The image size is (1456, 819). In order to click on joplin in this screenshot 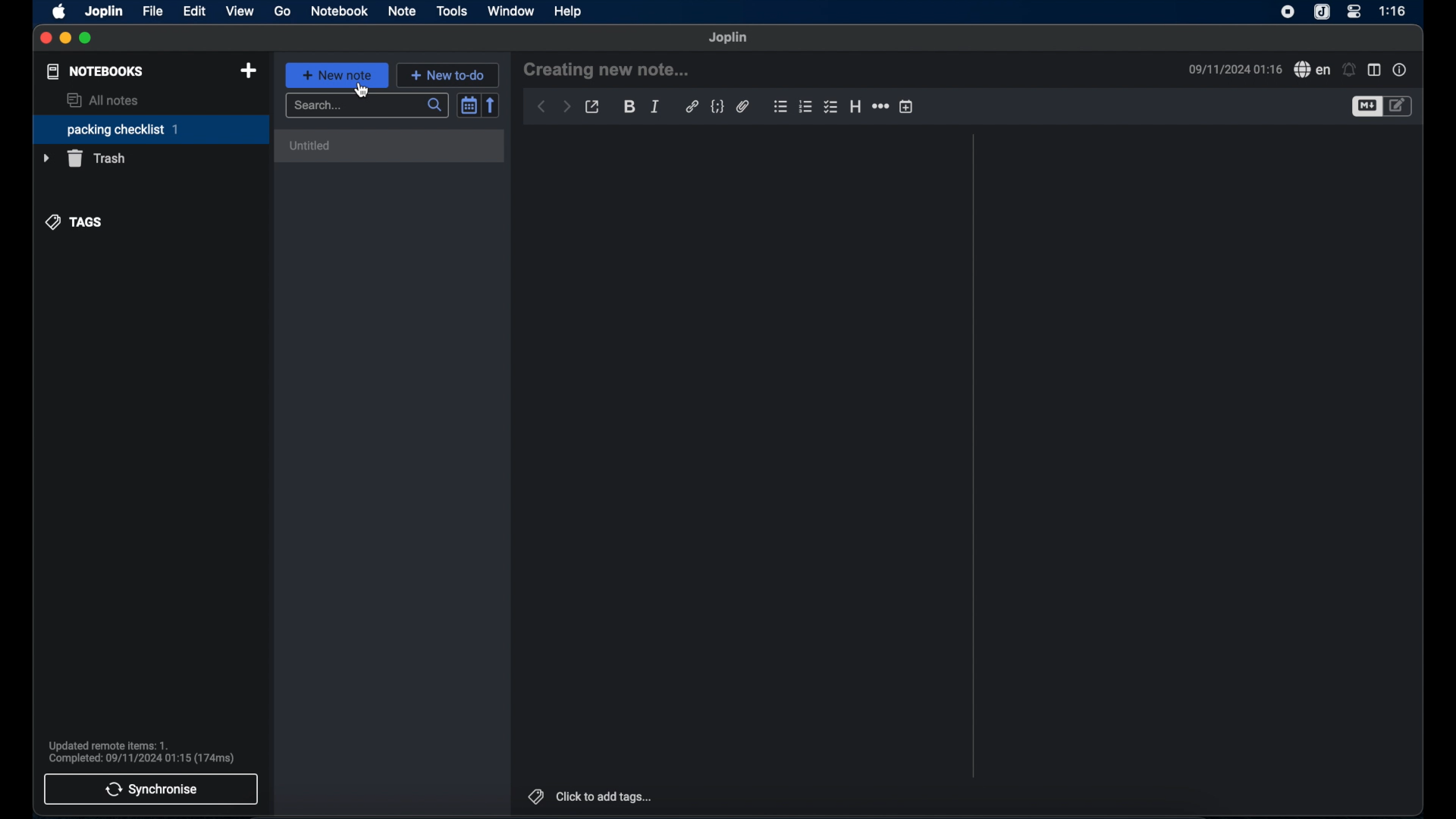, I will do `click(105, 12)`.